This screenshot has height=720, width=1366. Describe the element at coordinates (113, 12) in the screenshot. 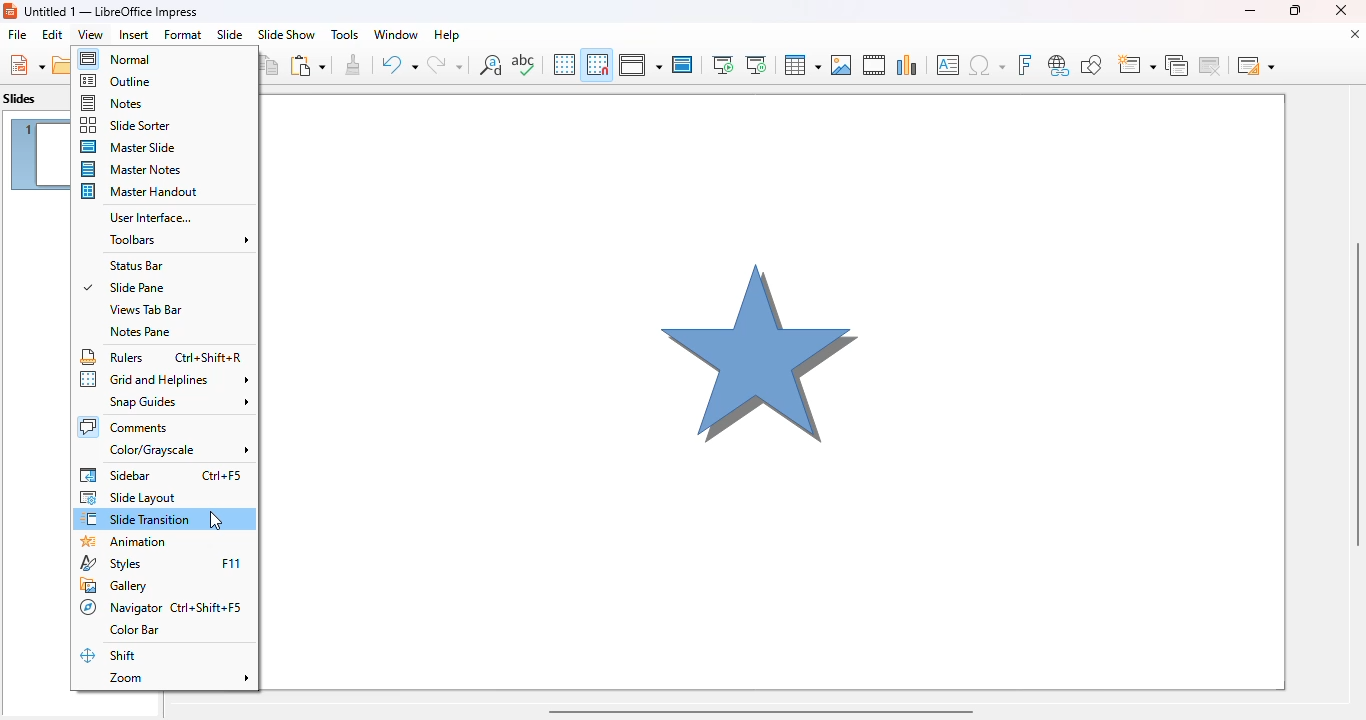

I see `Untitled 1 — LibreOffice Impress` at that location.